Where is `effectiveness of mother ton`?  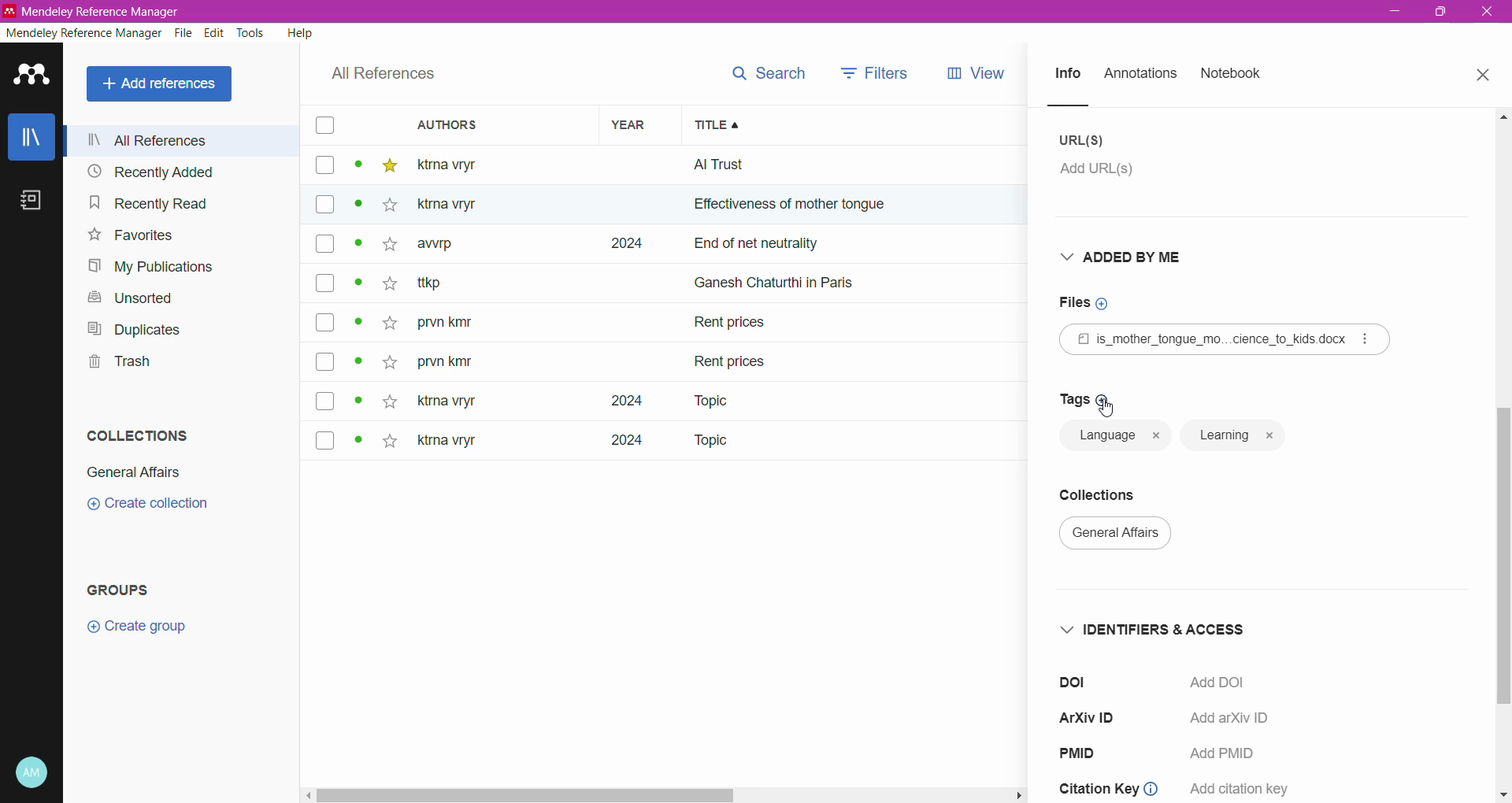 effectiveness of mother ton is located at coordinates (770, 208).